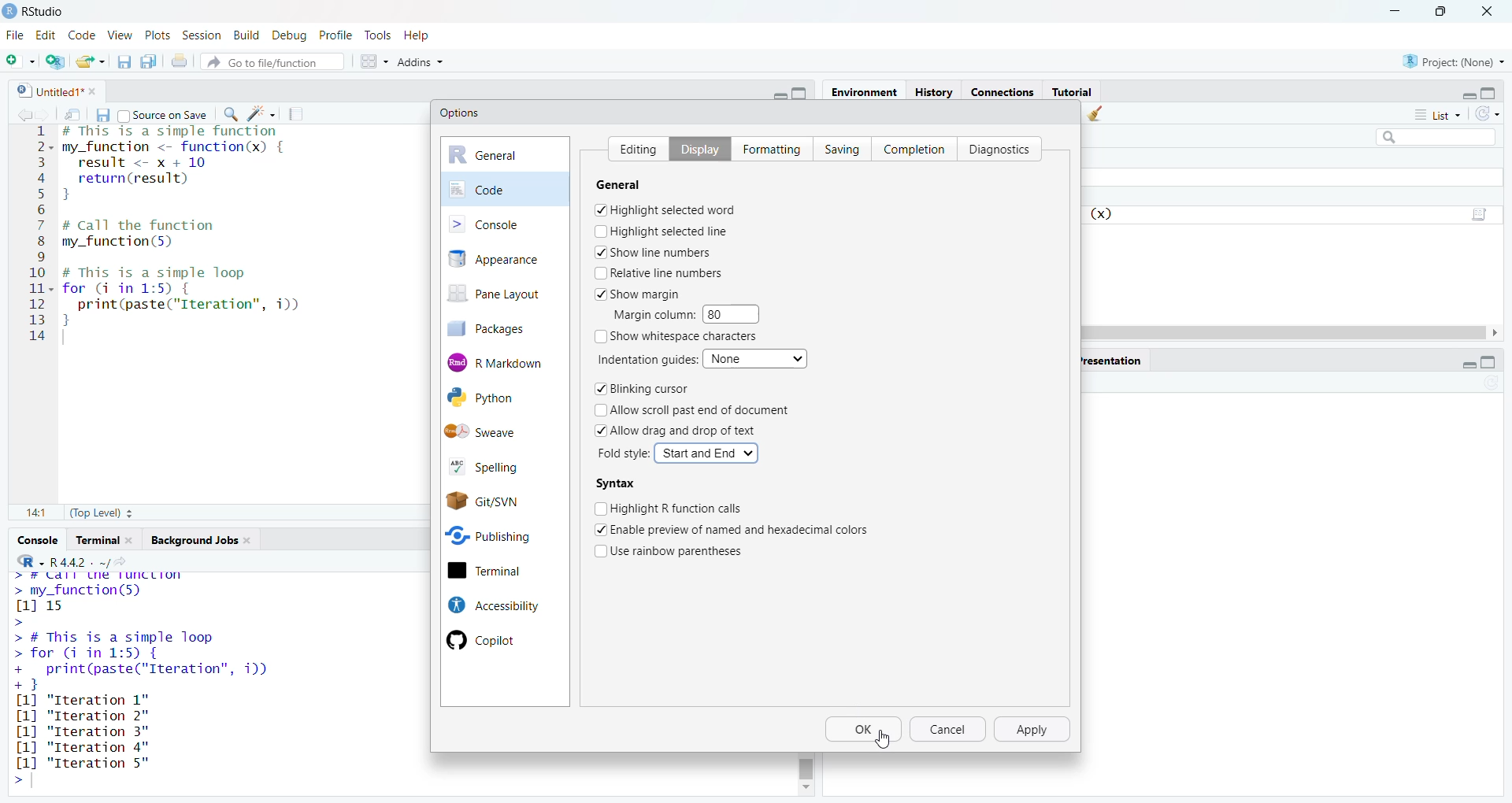 This screenshot has height=803, width=1512. I want to click on save current document, so click(124, 61).